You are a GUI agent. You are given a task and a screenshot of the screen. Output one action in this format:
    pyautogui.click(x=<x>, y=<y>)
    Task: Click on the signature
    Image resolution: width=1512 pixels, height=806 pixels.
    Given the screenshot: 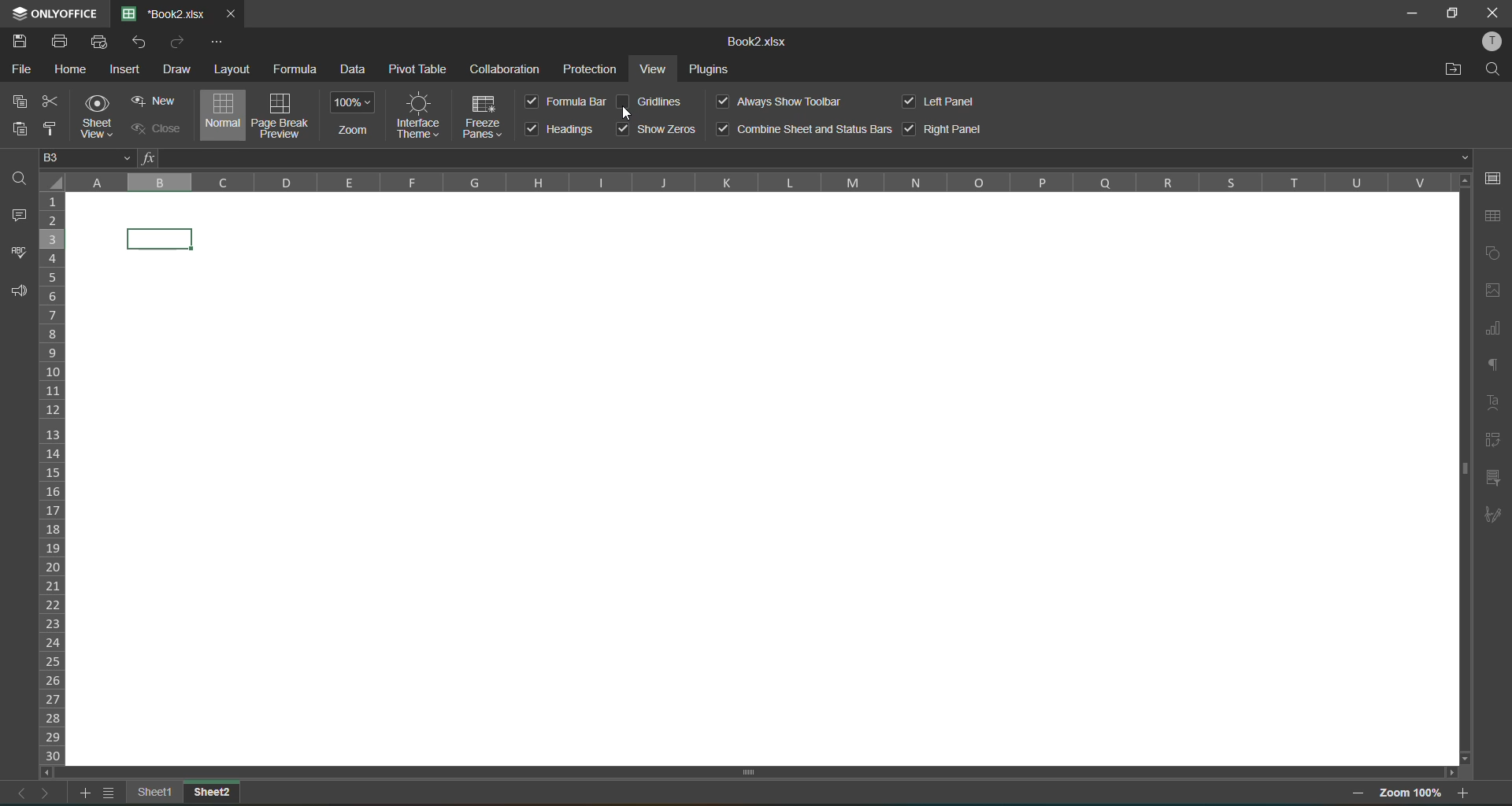 What is the action you would take?
    pyautogui.click(x=1494, y=516)
    